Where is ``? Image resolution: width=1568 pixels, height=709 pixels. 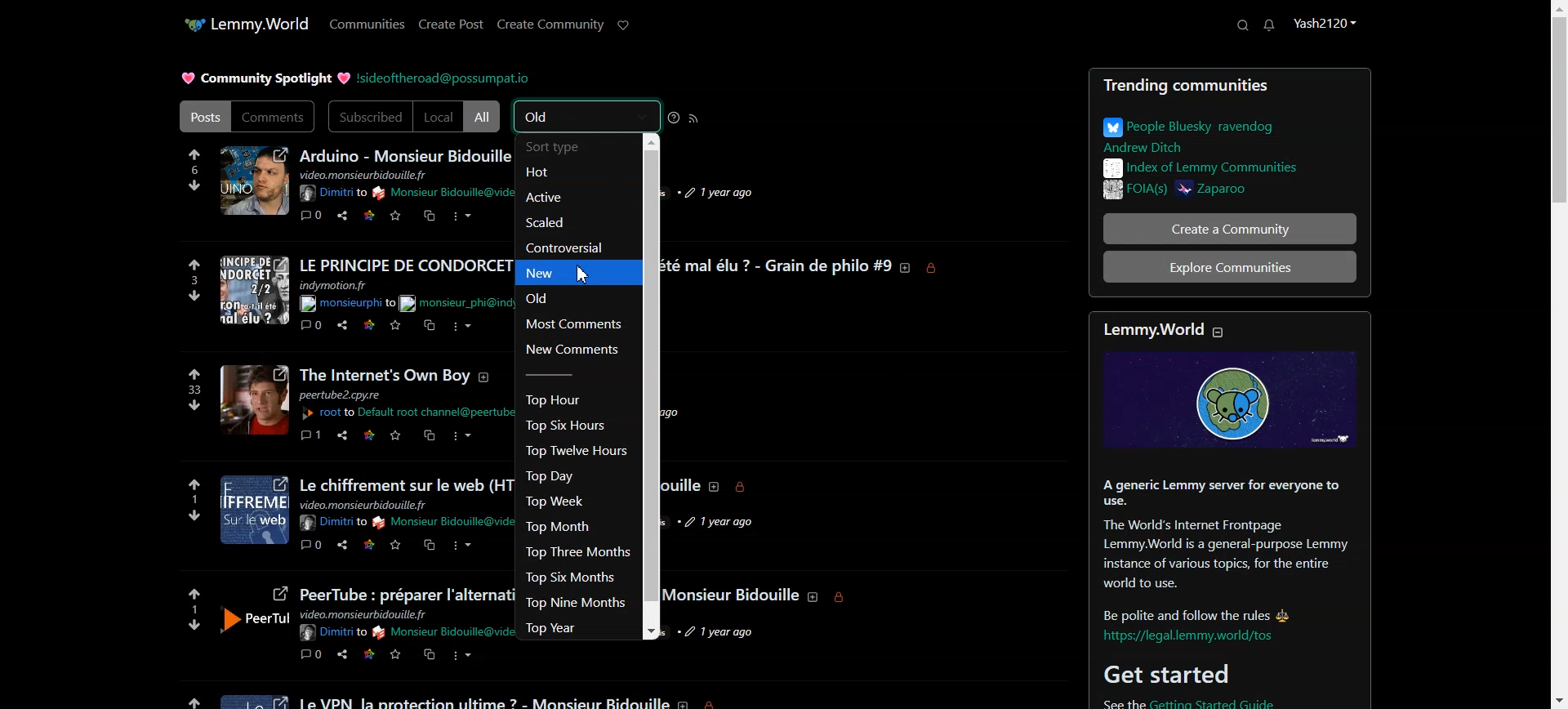
 is located at coordinates (310, 655).